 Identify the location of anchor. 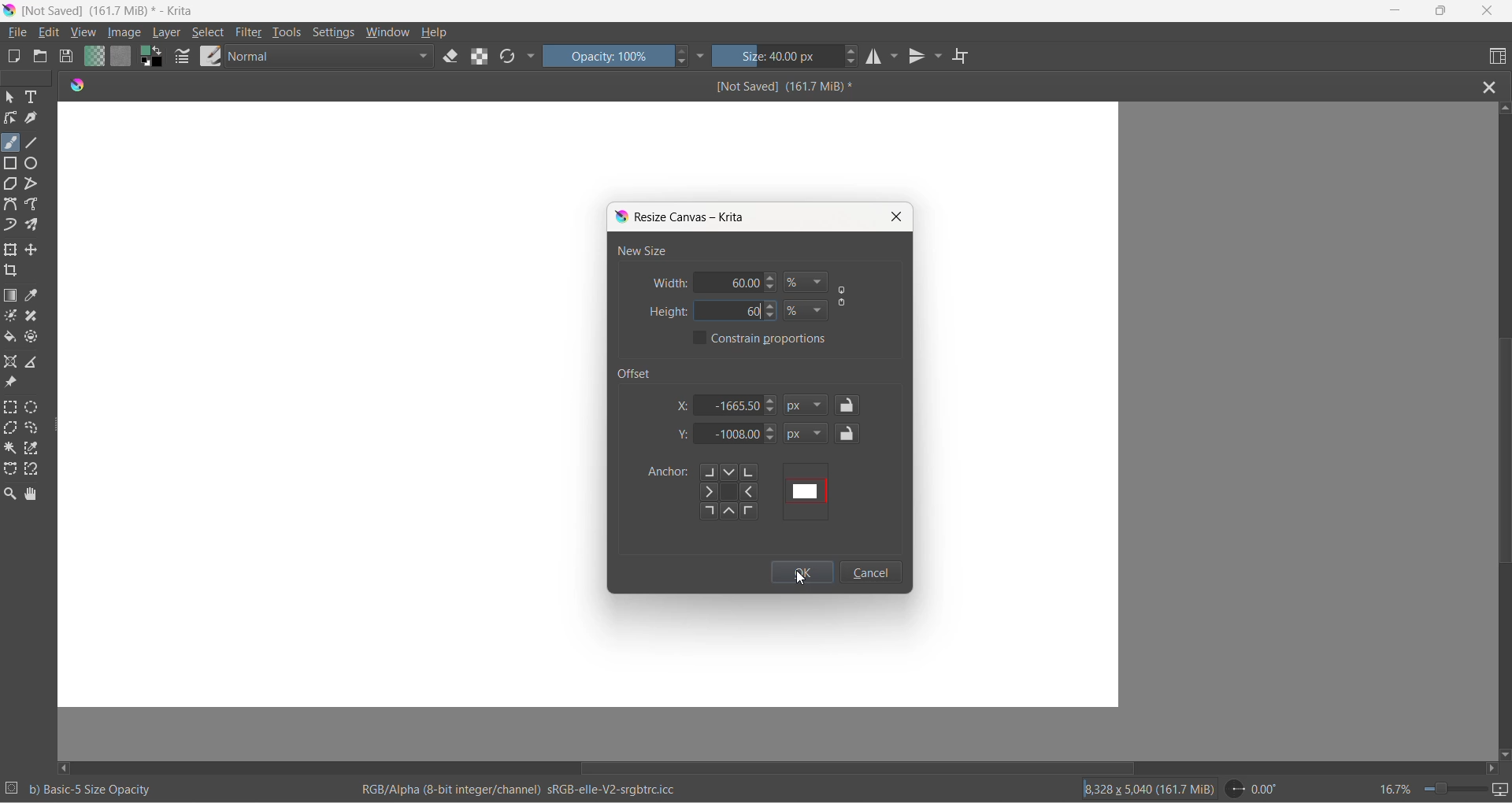
(665, 473).